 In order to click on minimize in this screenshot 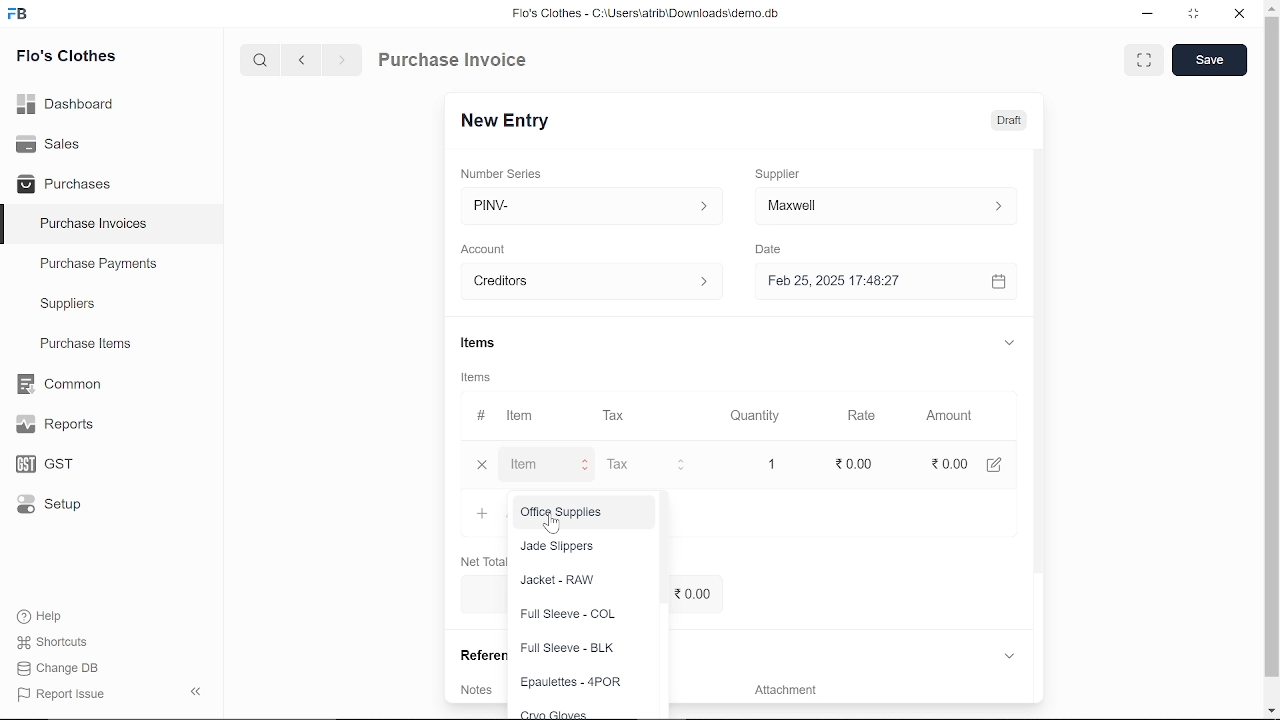, I will do `click(1146, 15)`.